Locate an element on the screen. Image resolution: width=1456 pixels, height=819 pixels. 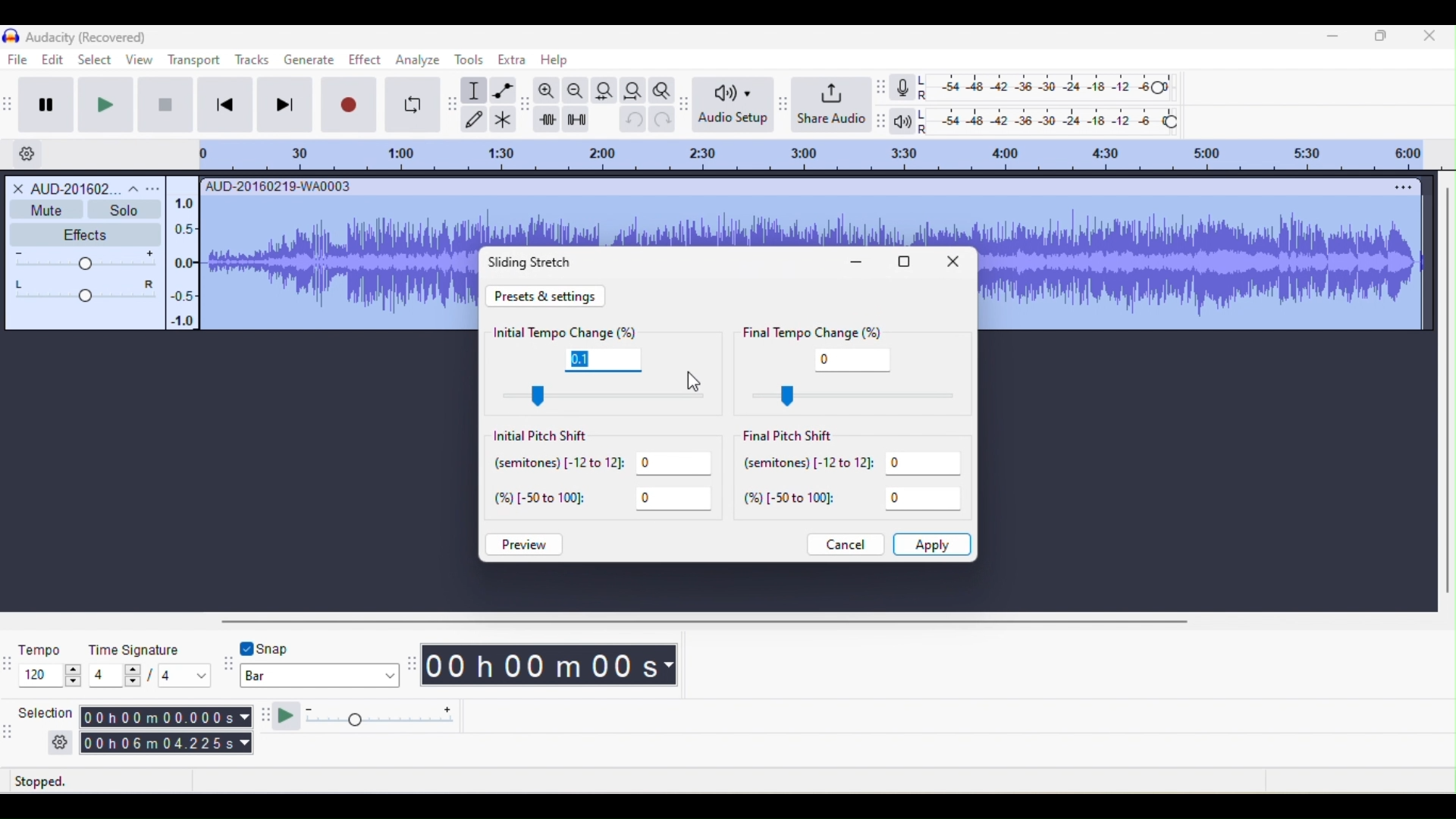
zoom out is located at coordinates (574, 90).